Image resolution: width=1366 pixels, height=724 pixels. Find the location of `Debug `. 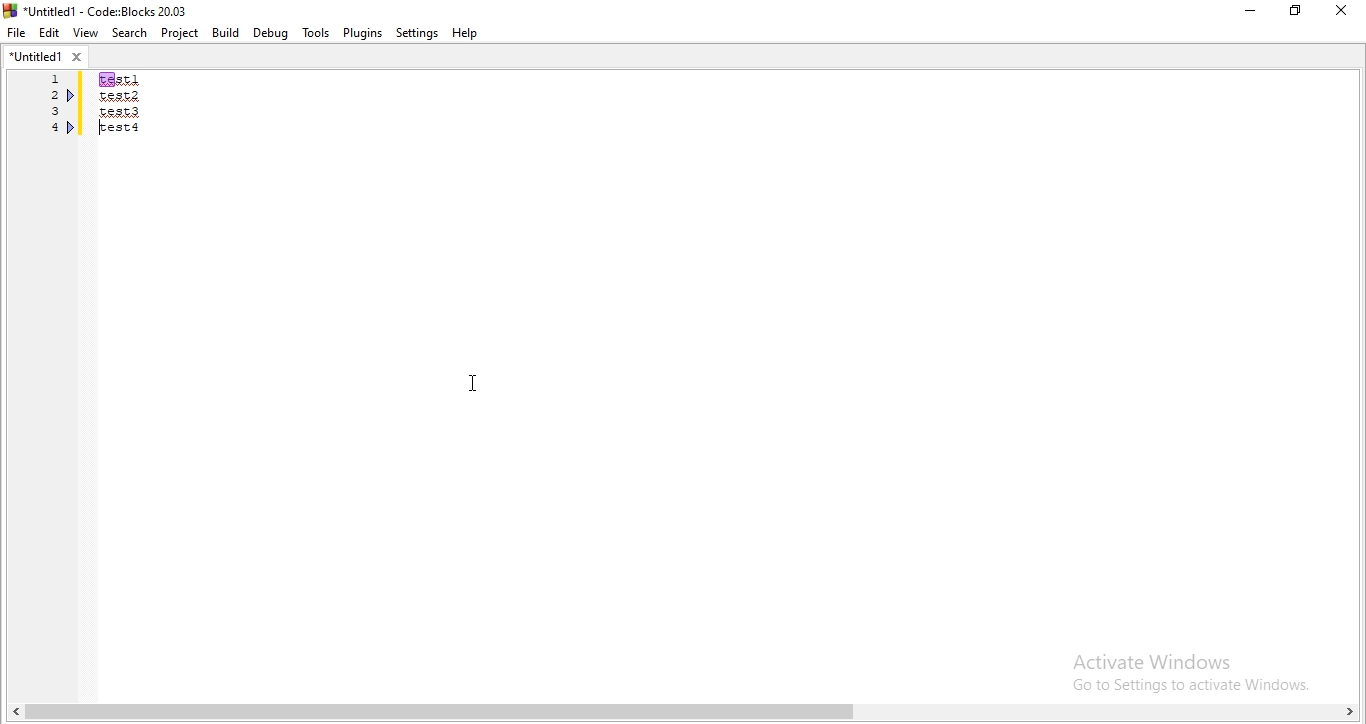

Debug  is located at coordinates (271, 33).